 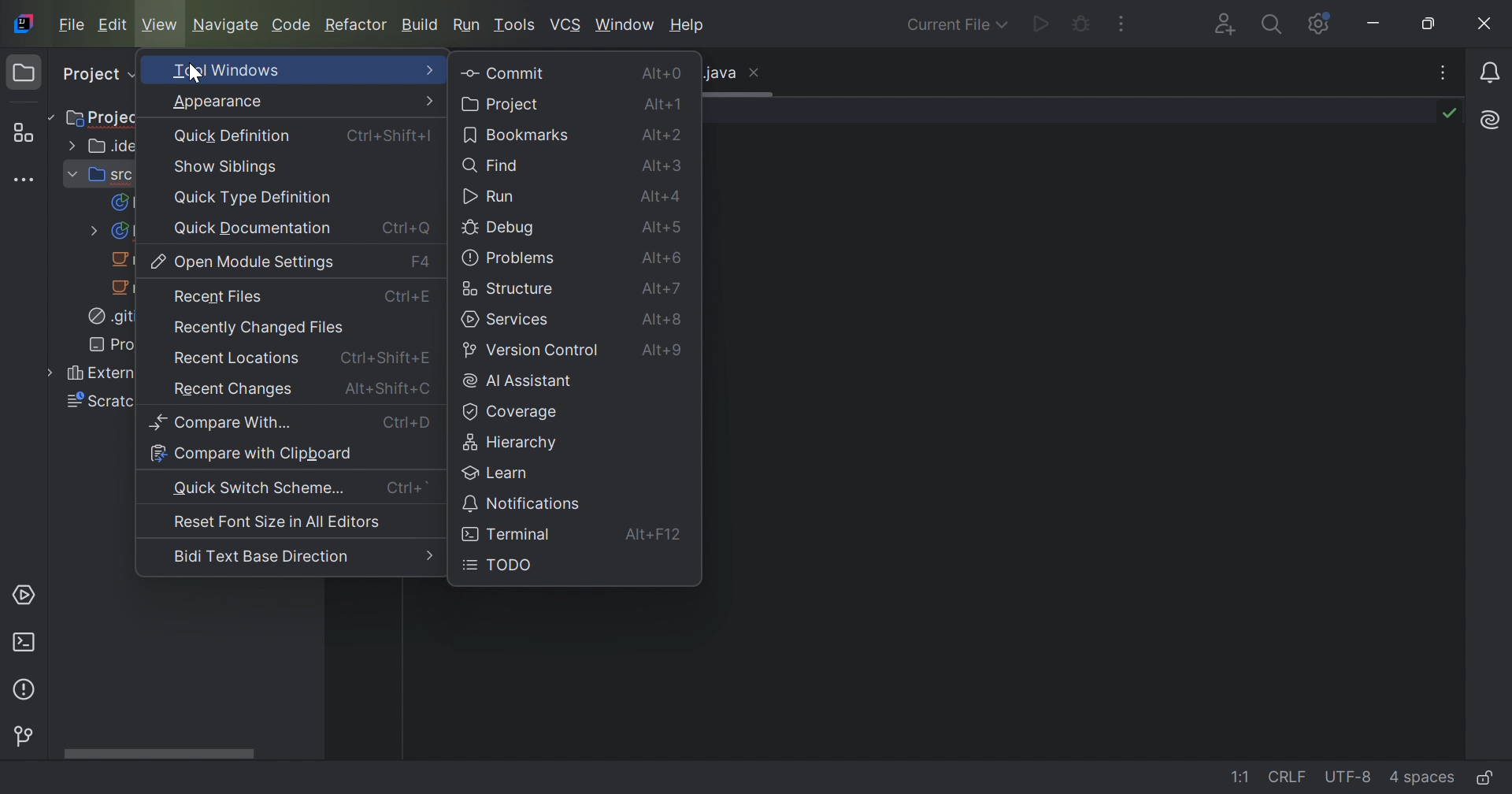 What do you see at coordinates (565, 25) in the screenshot?
I see `VCS` at bounding box center [565, 25].